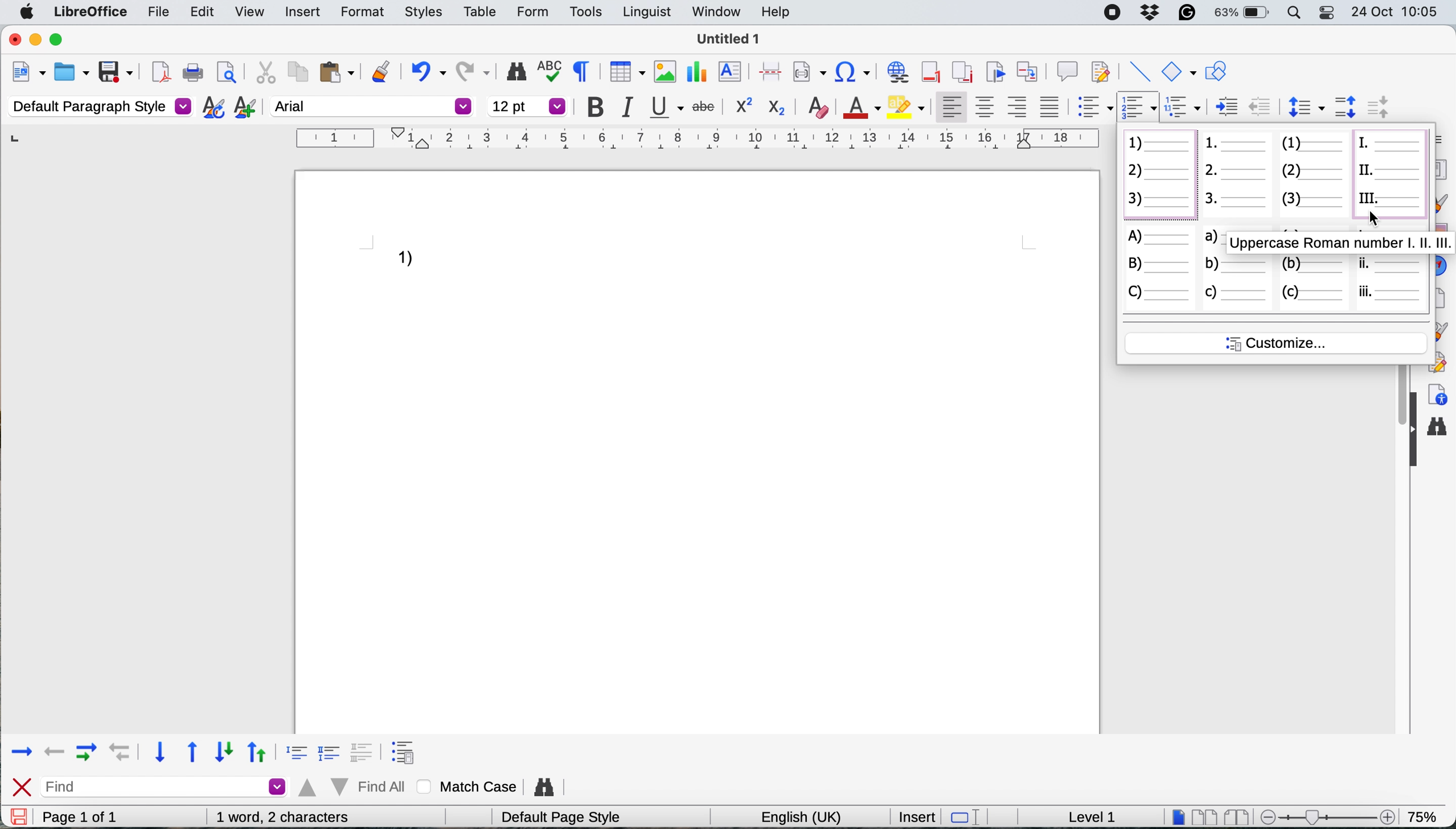 The width and height of the screenshot is (1456, 829). I want to click on backward with indent, so click(121, 753).